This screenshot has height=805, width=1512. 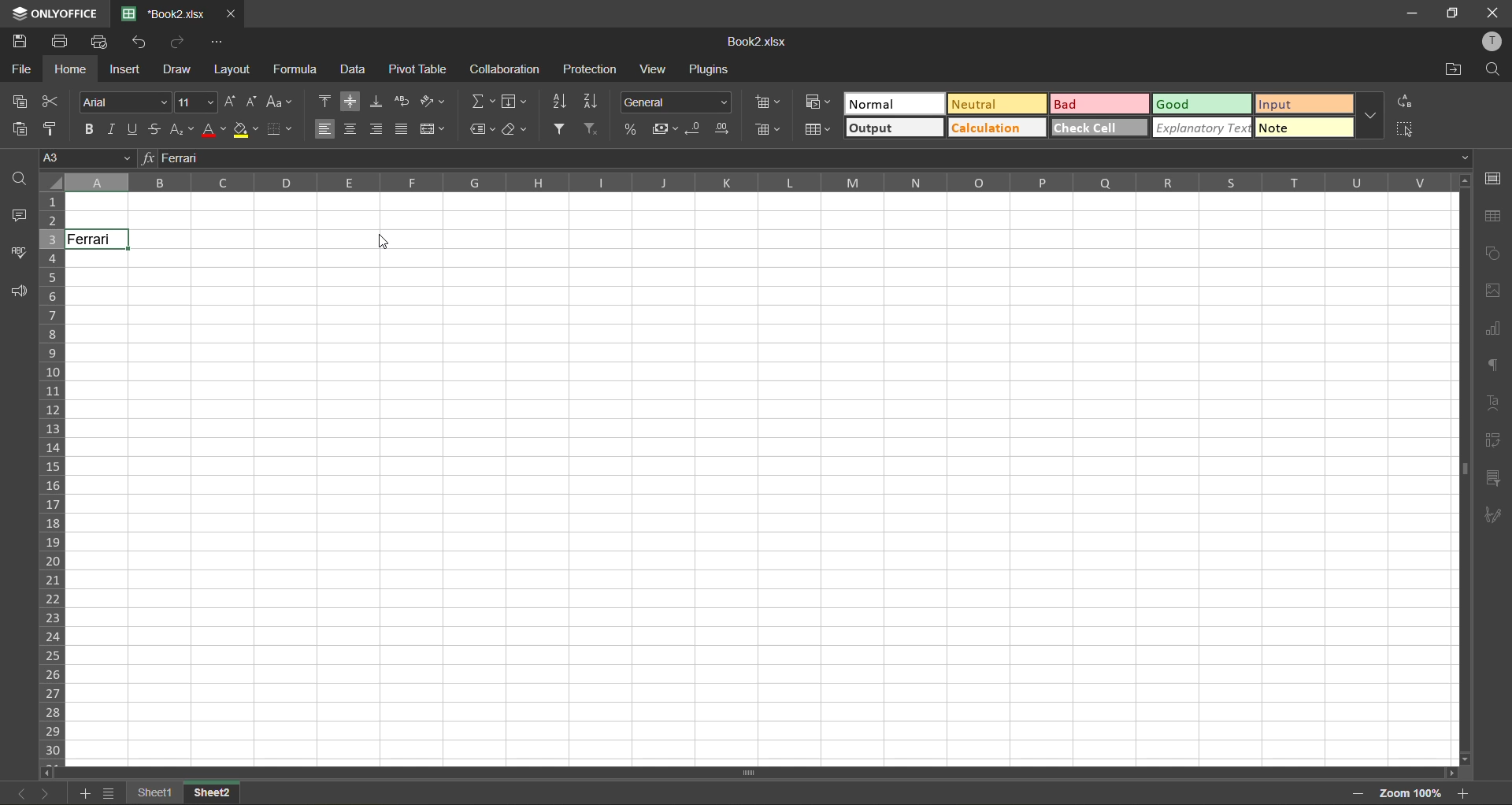 What do you see at coordinates (18, 792) in the screenshot?
I see `previous` at bounding box center [18, 792].